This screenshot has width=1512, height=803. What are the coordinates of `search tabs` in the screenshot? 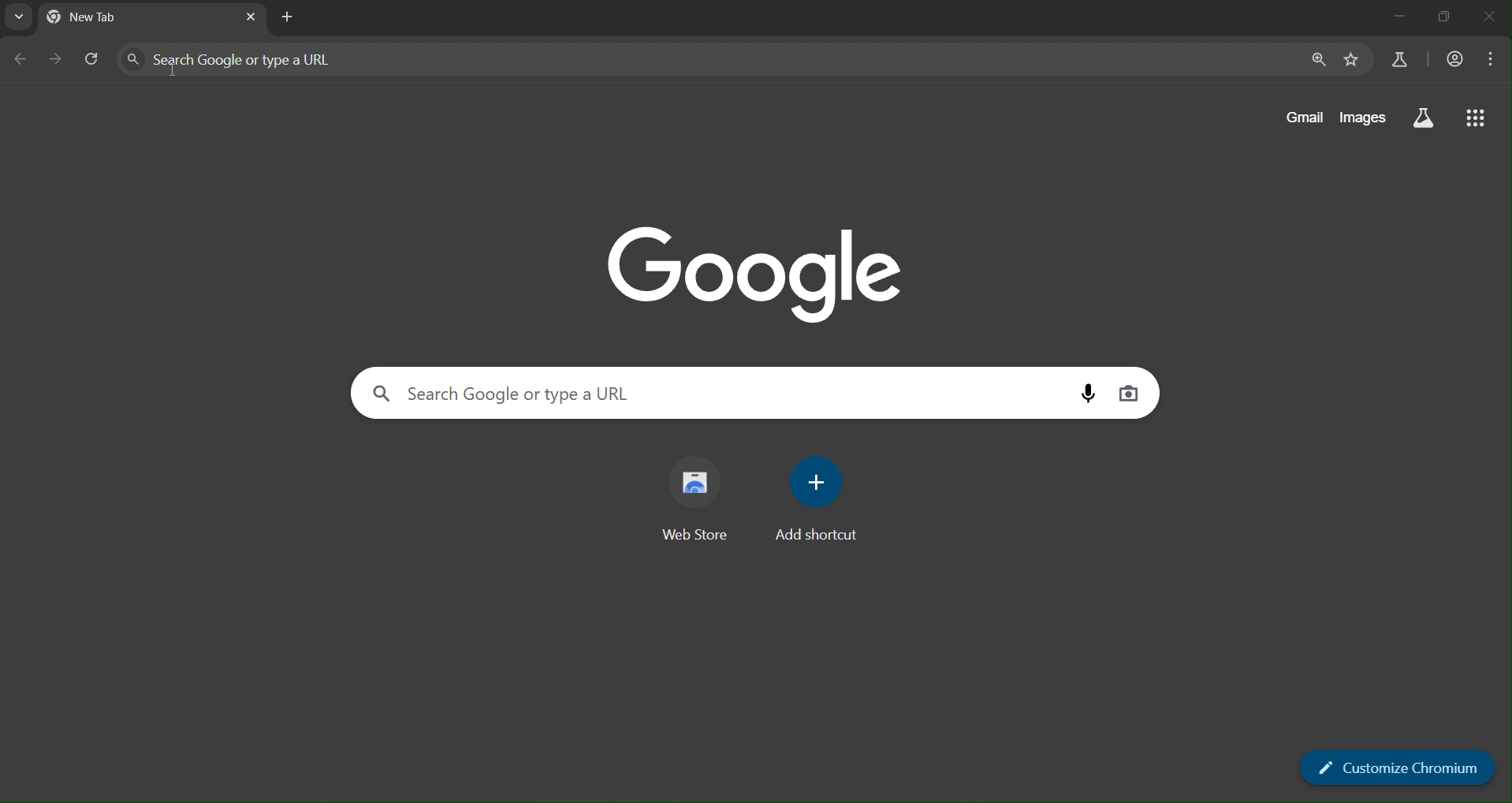 It's located at (17, 17).